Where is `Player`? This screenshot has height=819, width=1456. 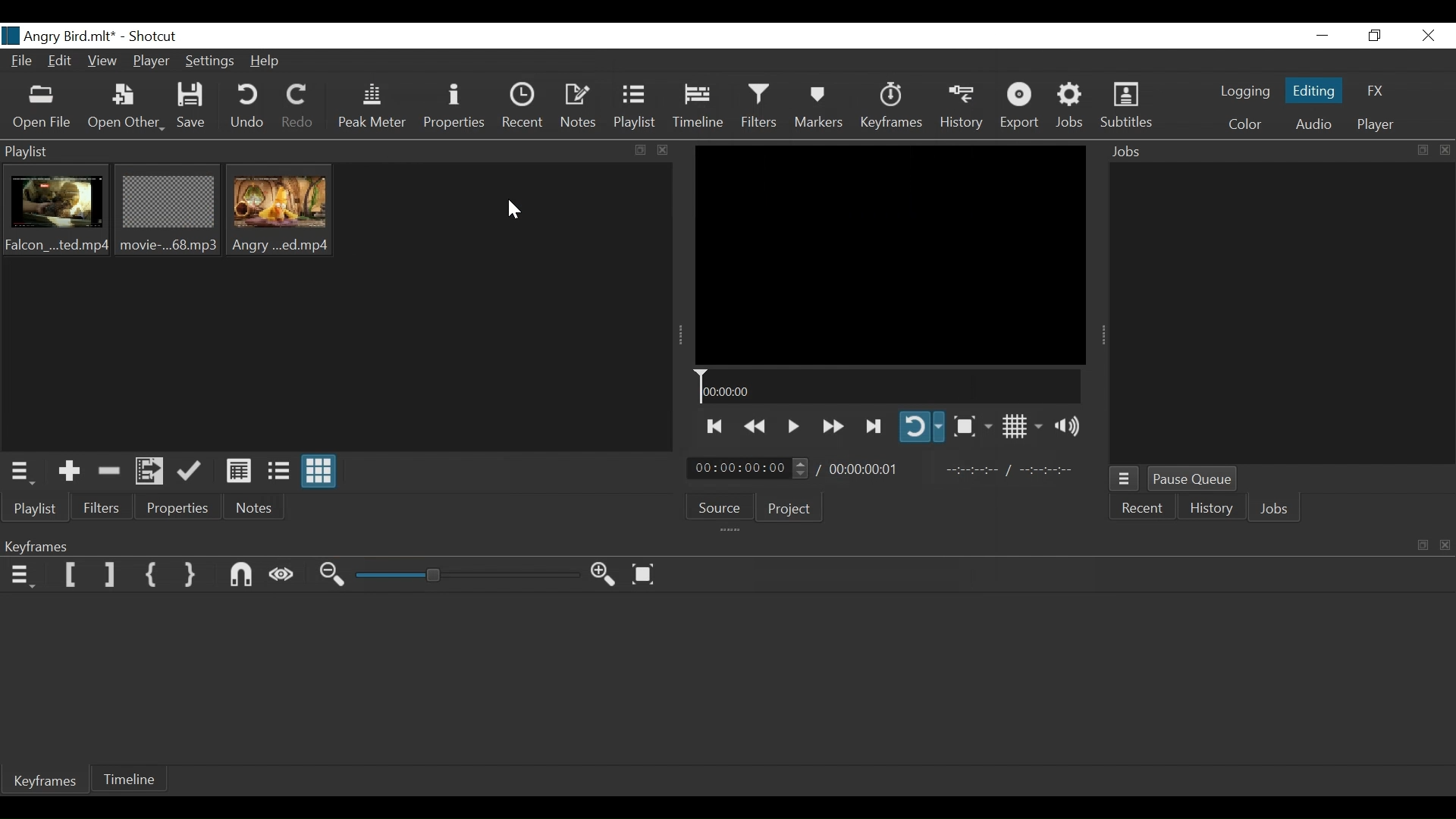
Player is located at coordinates (151, 61).